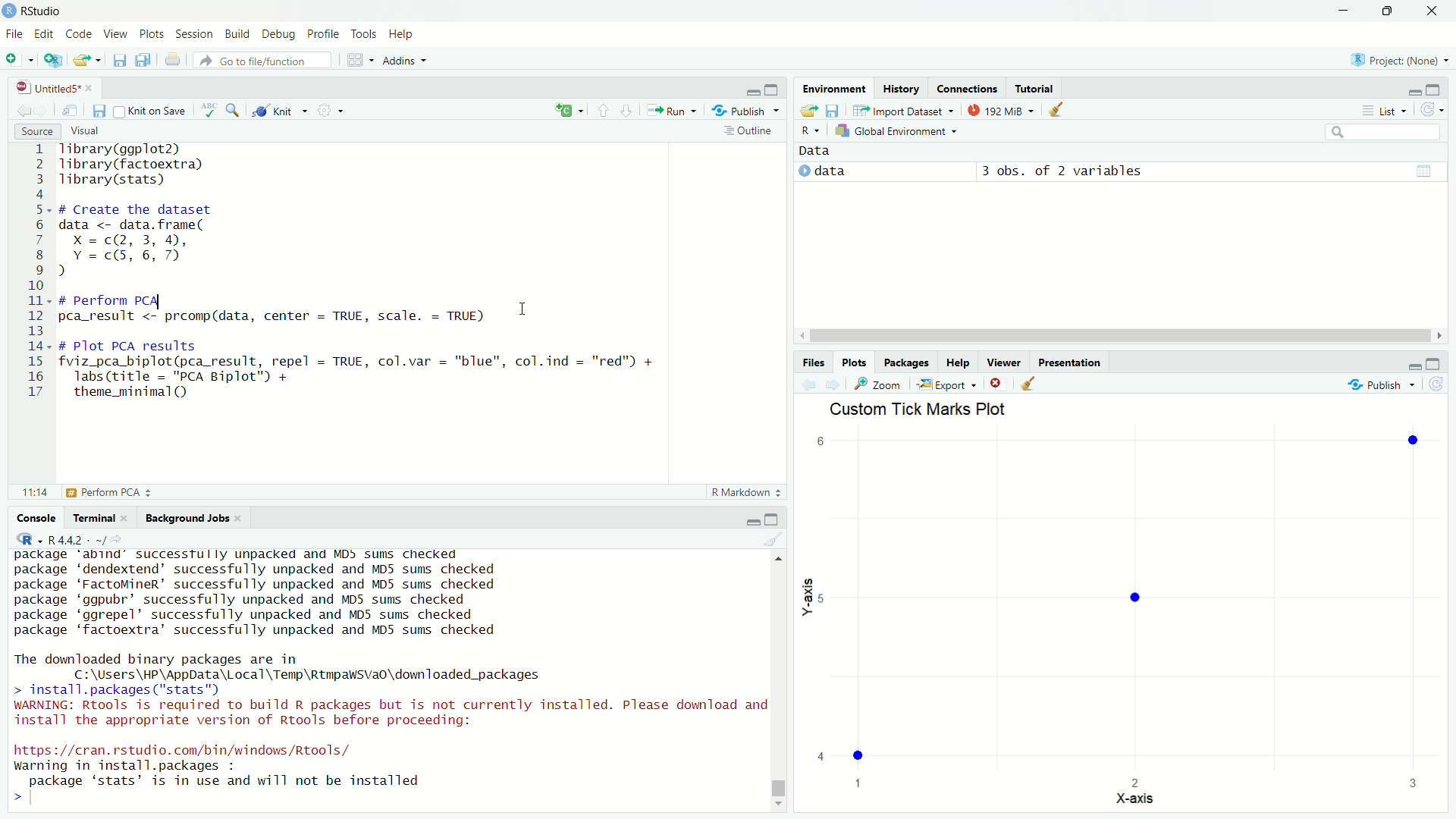 The width and height of the screenshot is (1456, 819). Describe the element at coordinates (752, 519) in the screenshot. I see `minimize` at that location.